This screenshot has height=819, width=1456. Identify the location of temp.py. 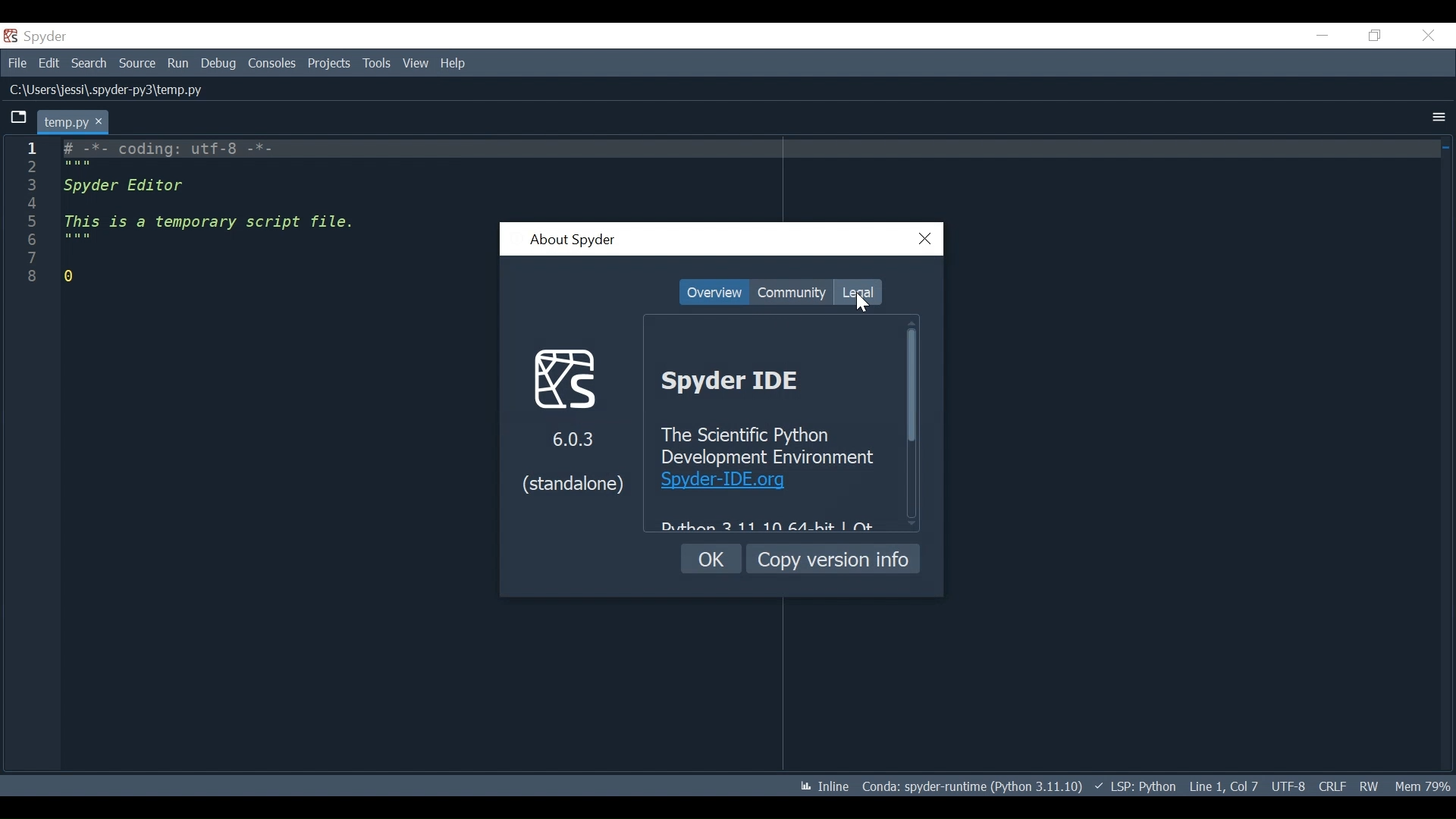
(74, 121).